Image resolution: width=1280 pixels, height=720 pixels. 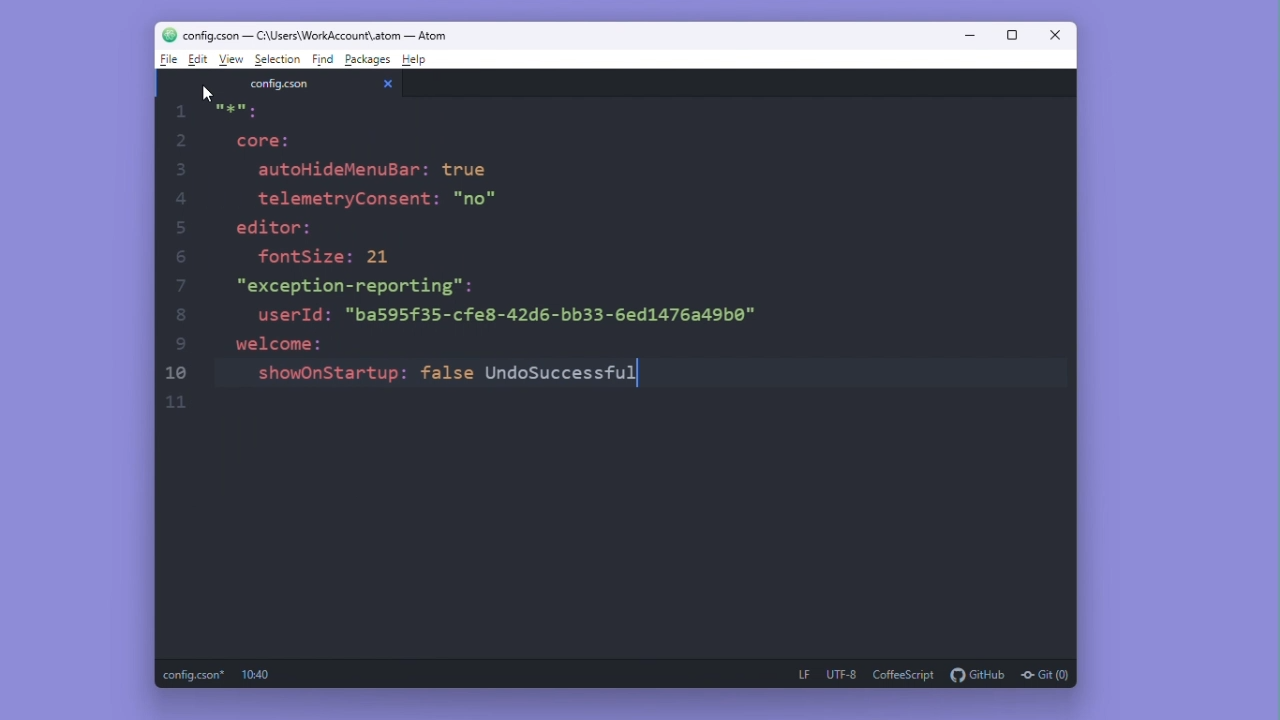 What do you see at coordinates (322, 59) in the screenshot?
I see `Find` at bounding box center [322, 59].